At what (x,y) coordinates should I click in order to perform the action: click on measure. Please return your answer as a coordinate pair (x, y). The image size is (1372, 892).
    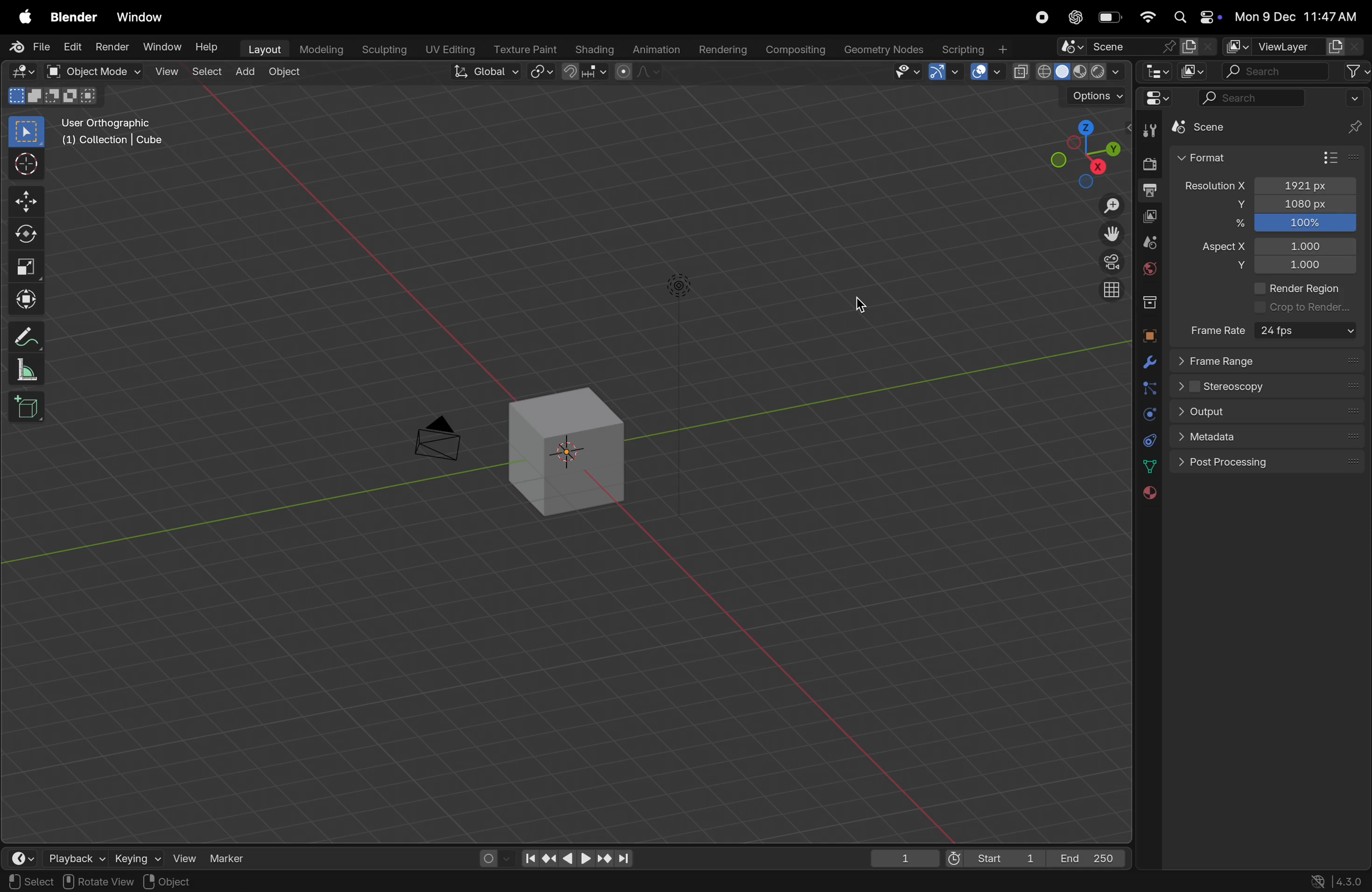
    Looking at the image, I should click on (26, 369).